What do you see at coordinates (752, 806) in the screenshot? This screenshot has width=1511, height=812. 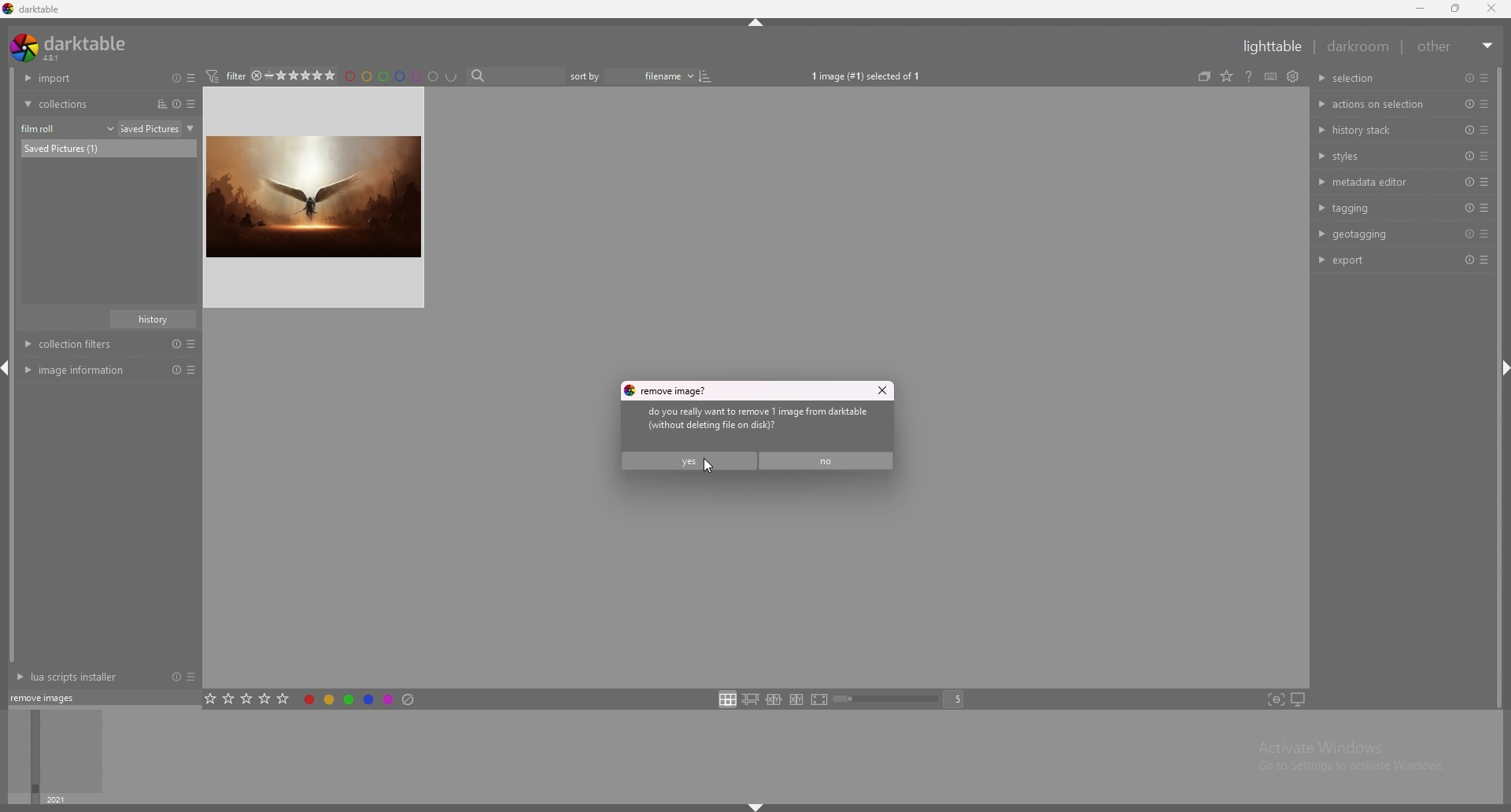 I see `hide` at bounding box center [752, 806].